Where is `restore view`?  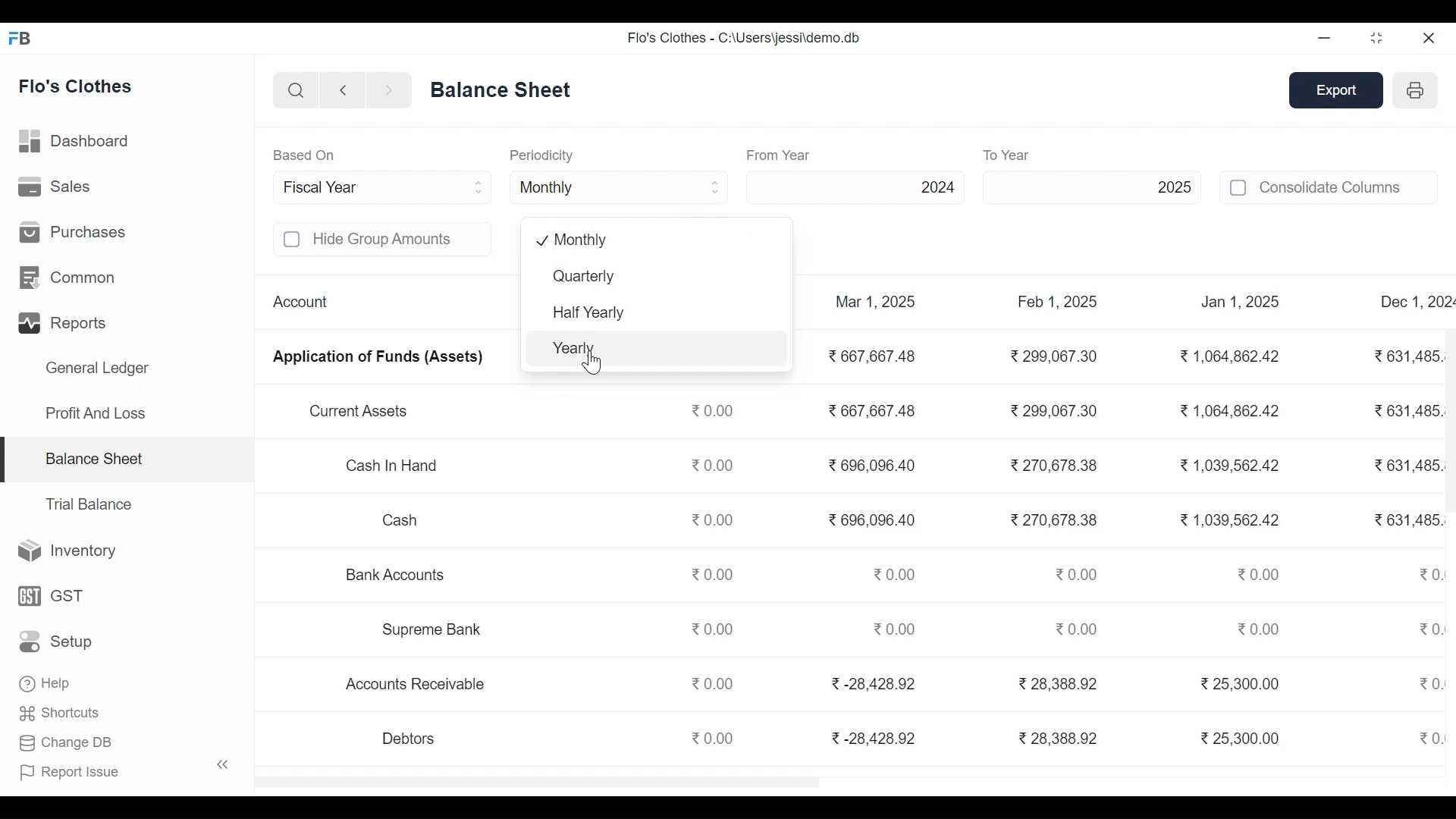
restore view is located at coordinates (1378, 39).